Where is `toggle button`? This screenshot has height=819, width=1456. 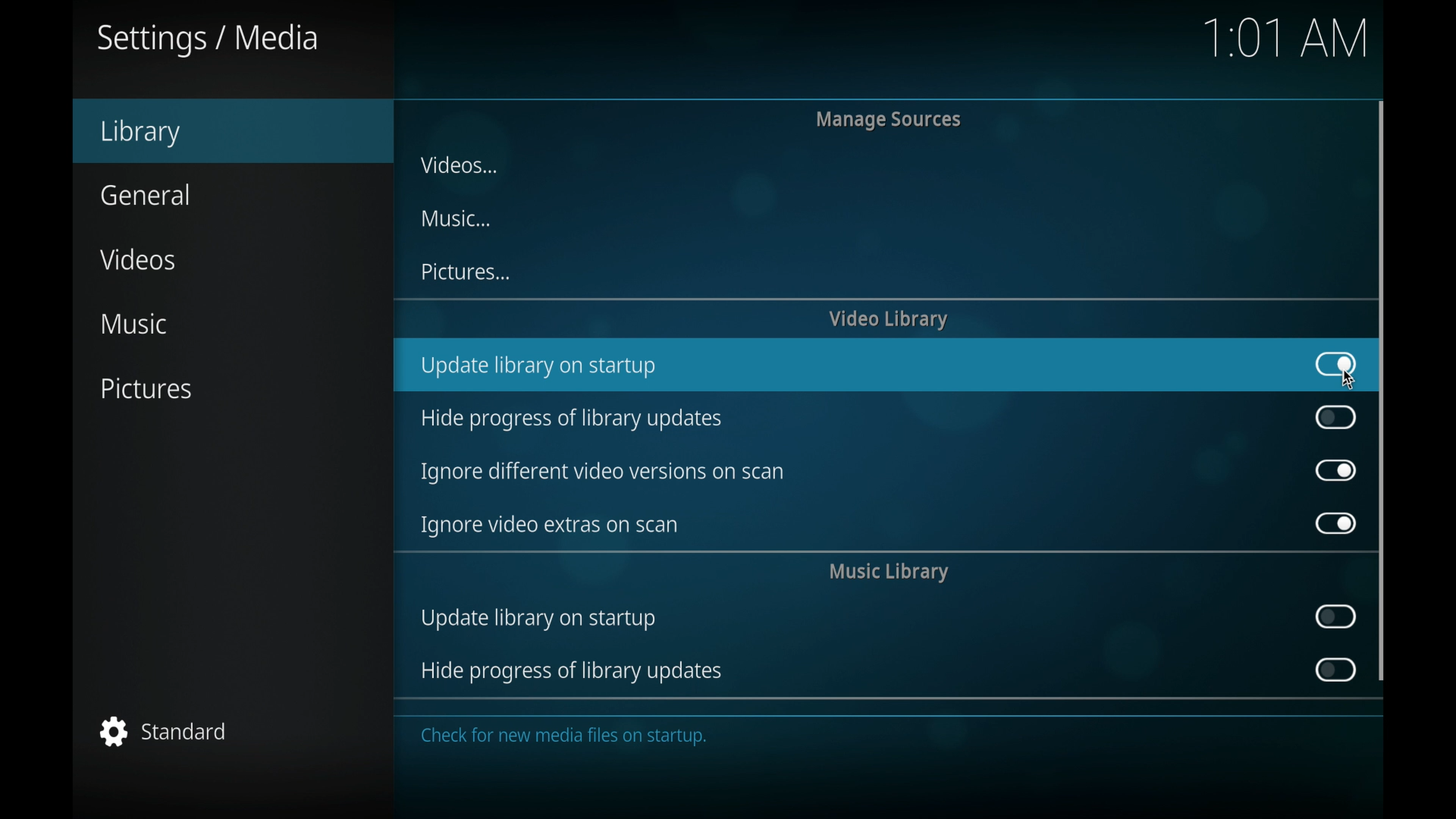
toggle button is located at coordinates (1336, 469).